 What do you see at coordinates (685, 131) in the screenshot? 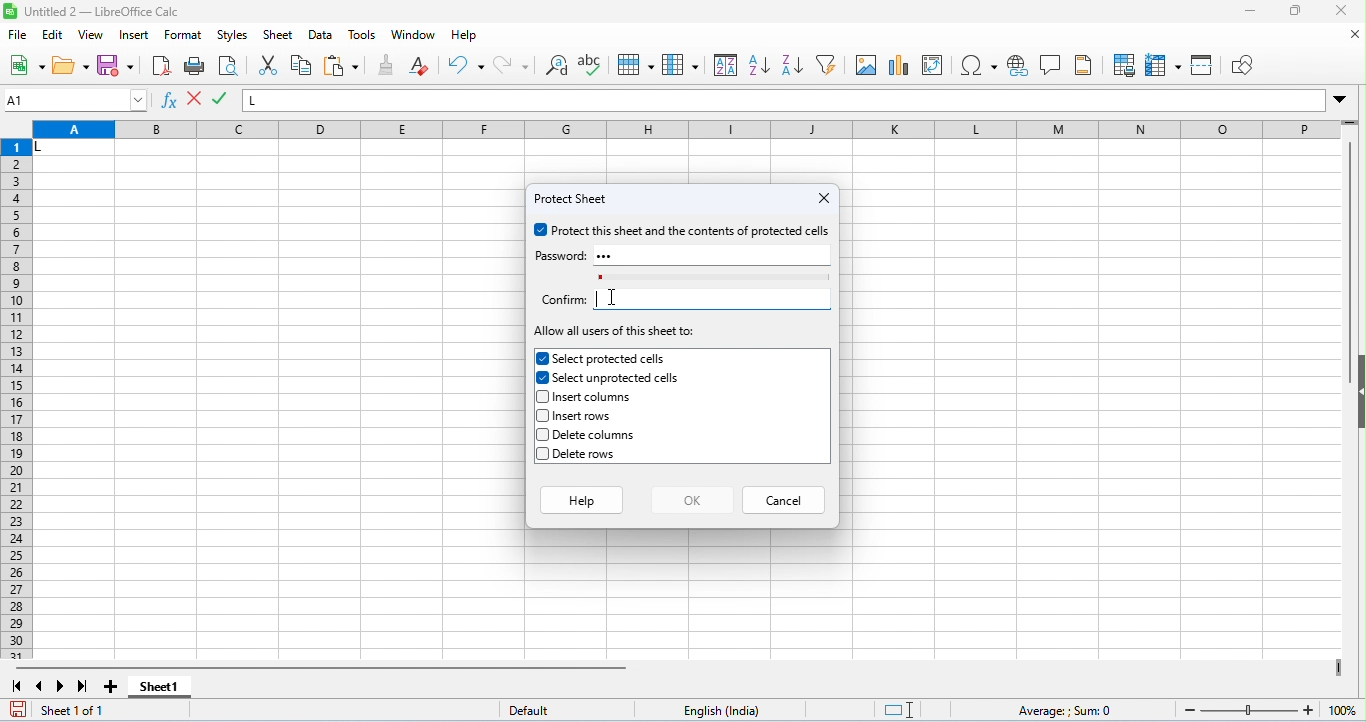
I see `column headings` at bounding box center [685, 131].